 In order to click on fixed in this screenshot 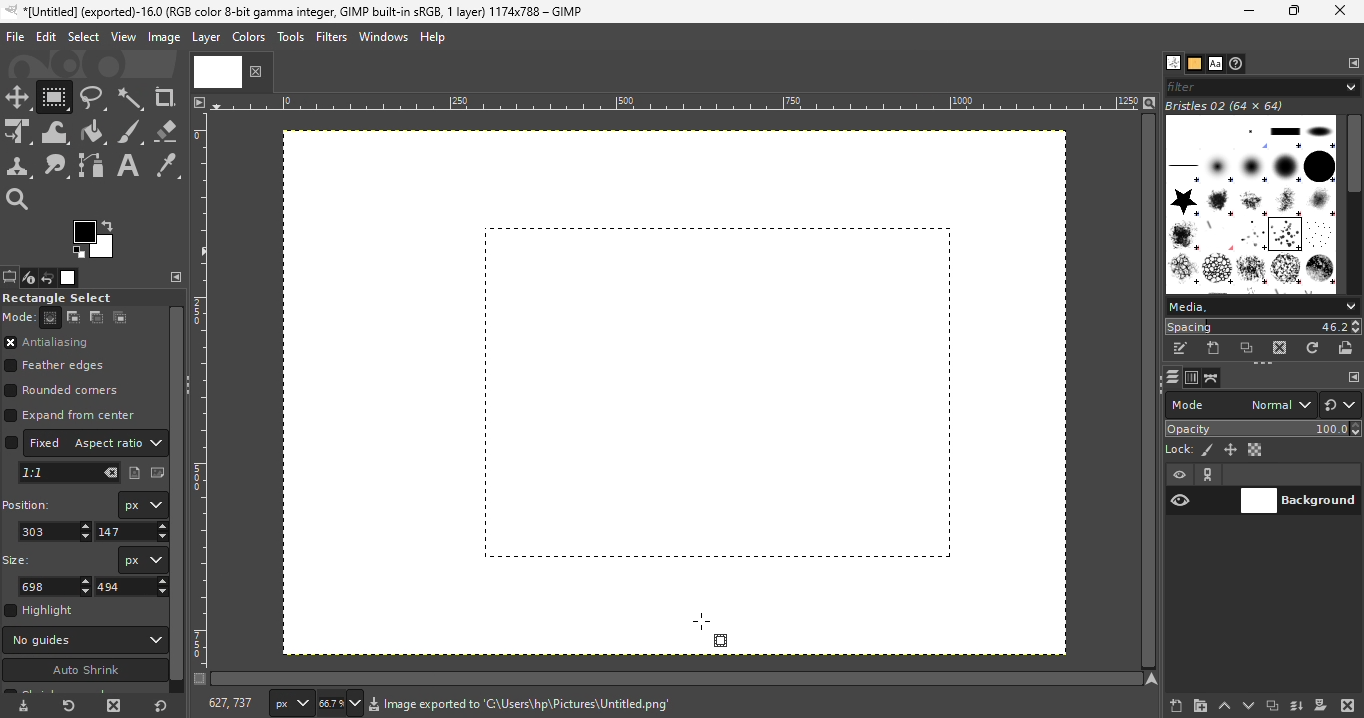, I will do `click(33, 443)`.